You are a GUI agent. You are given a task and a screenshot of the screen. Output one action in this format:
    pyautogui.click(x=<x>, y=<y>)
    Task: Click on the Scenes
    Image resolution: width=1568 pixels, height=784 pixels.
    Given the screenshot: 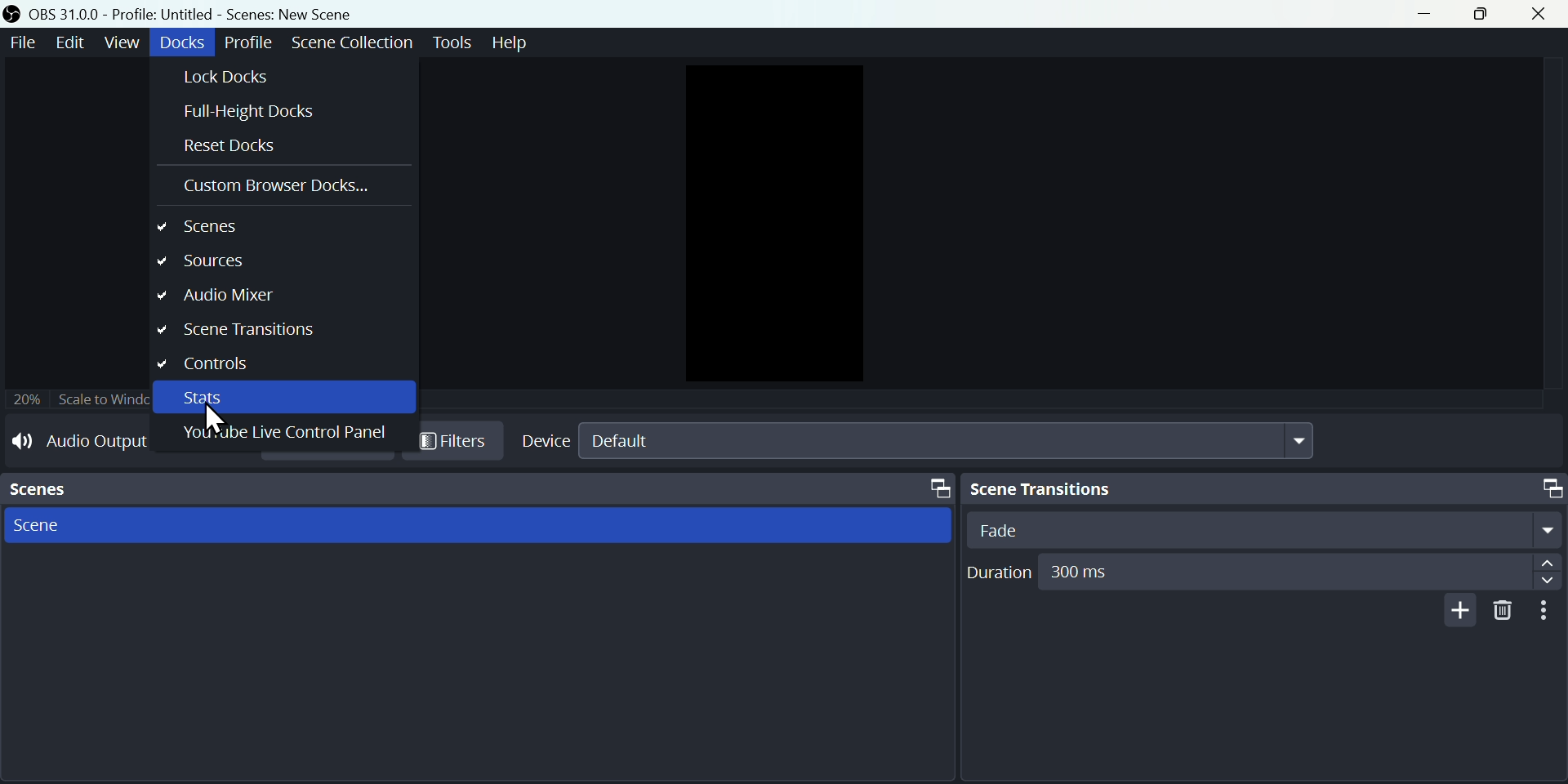 What is the action you would take?
    pyautogui.click(x=476, y=490)
    